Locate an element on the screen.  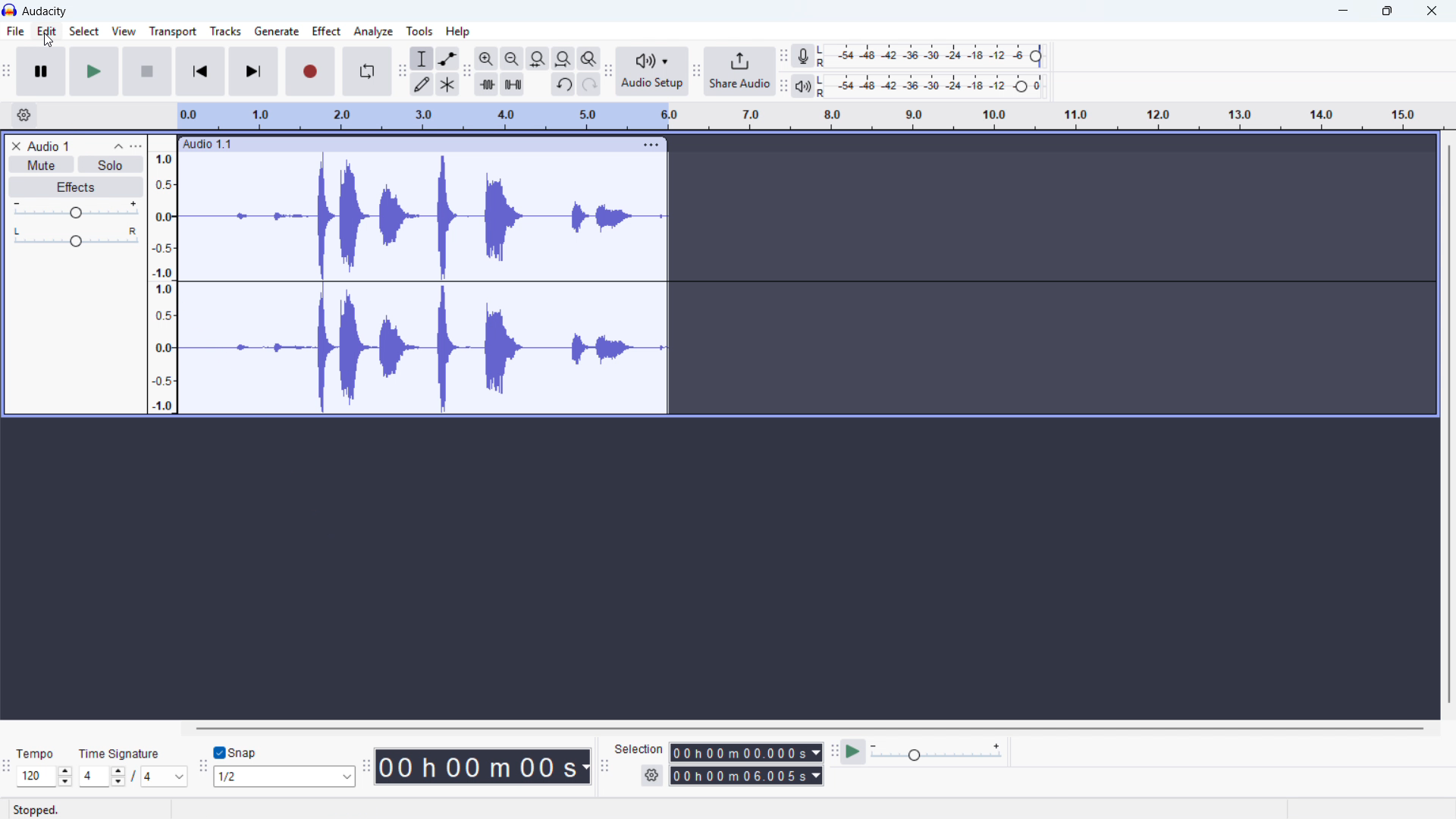
help is located at coordinates (459, 30).